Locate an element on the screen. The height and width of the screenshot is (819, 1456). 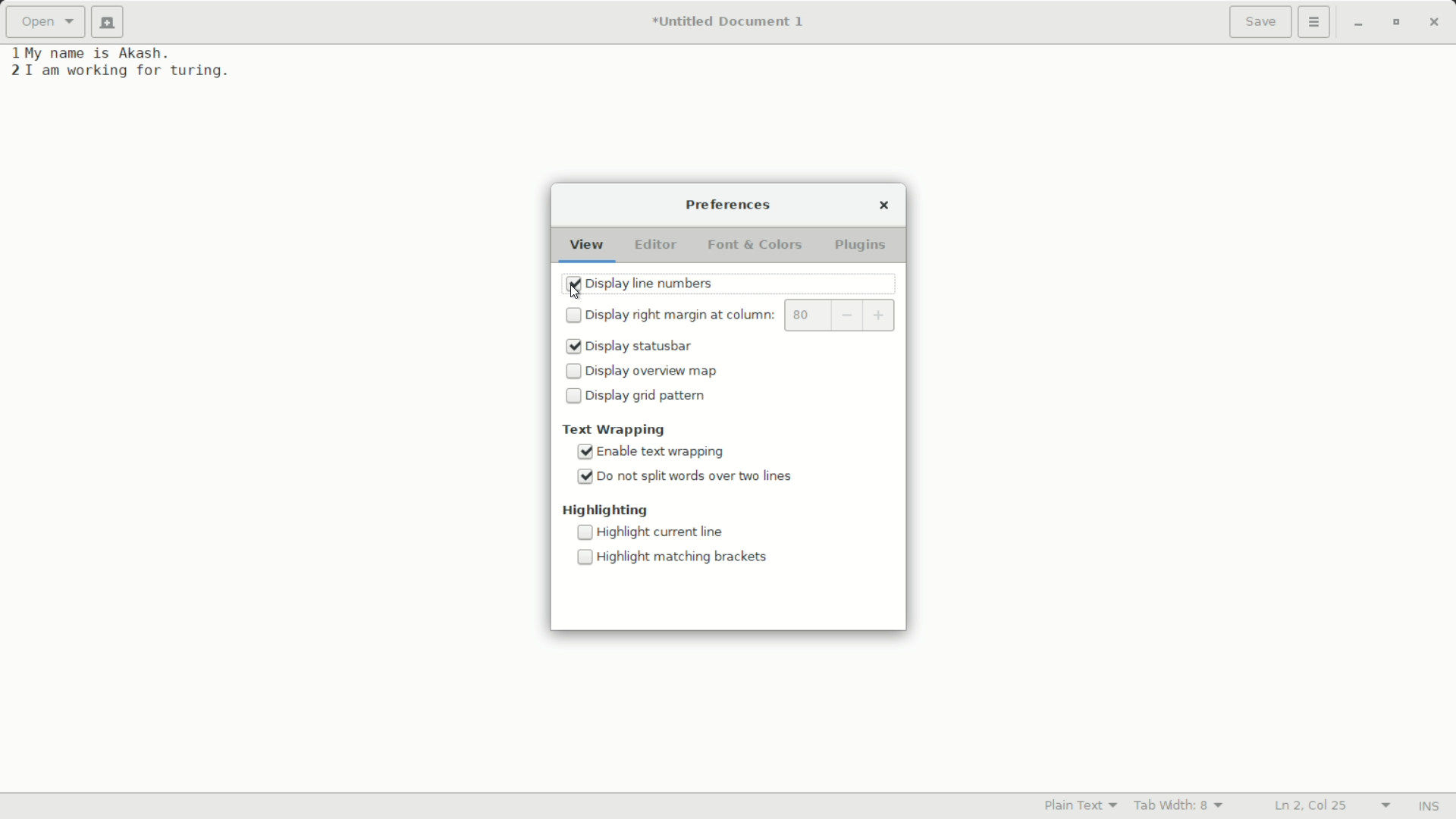
display grid pattern is located at coordinates (650, 395).